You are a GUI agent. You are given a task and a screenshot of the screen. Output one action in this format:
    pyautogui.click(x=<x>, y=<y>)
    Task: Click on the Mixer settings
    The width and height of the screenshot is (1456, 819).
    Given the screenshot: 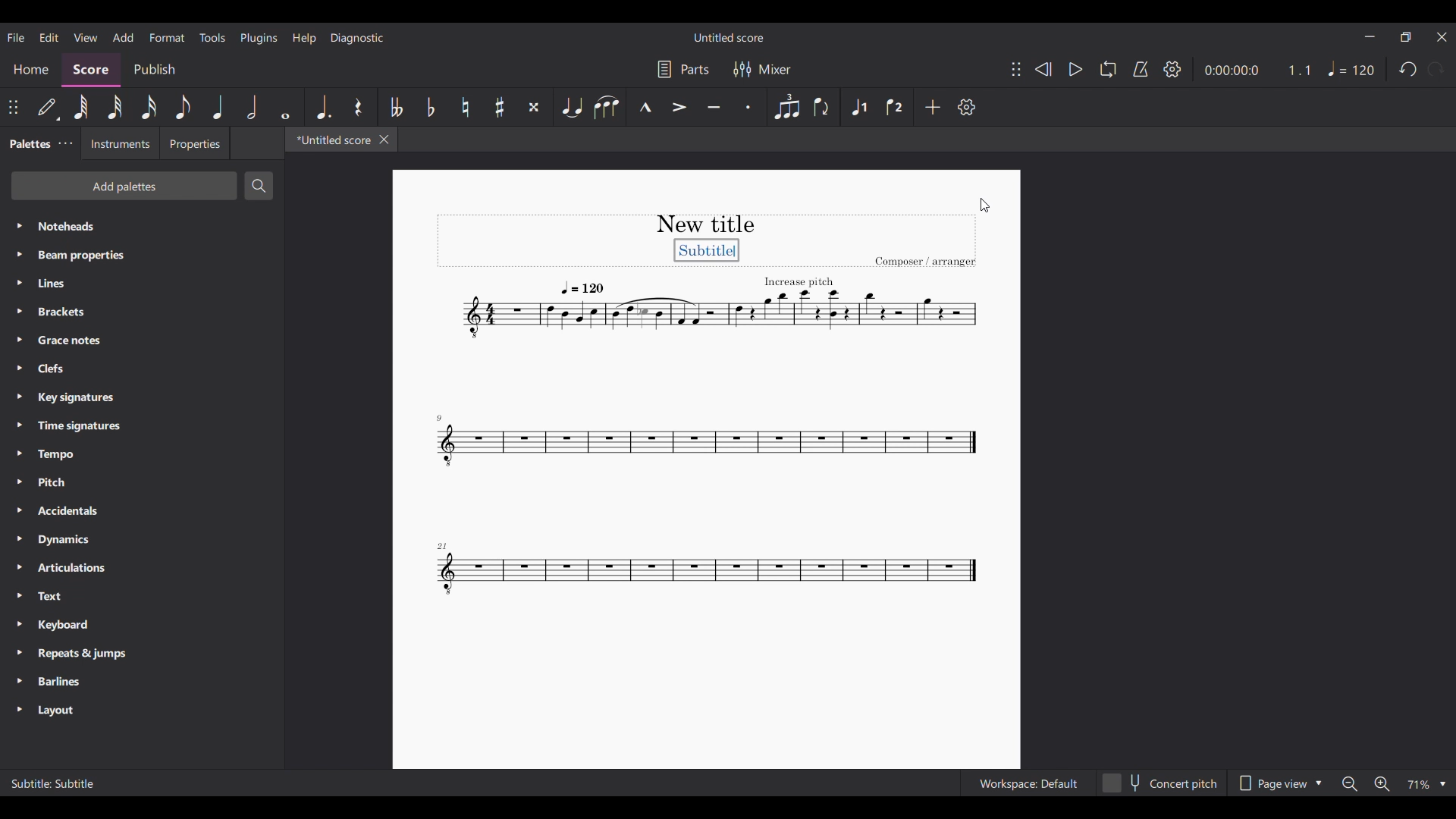 What is the action you would take?
    pyautogui.click(x=762, y=70)
    